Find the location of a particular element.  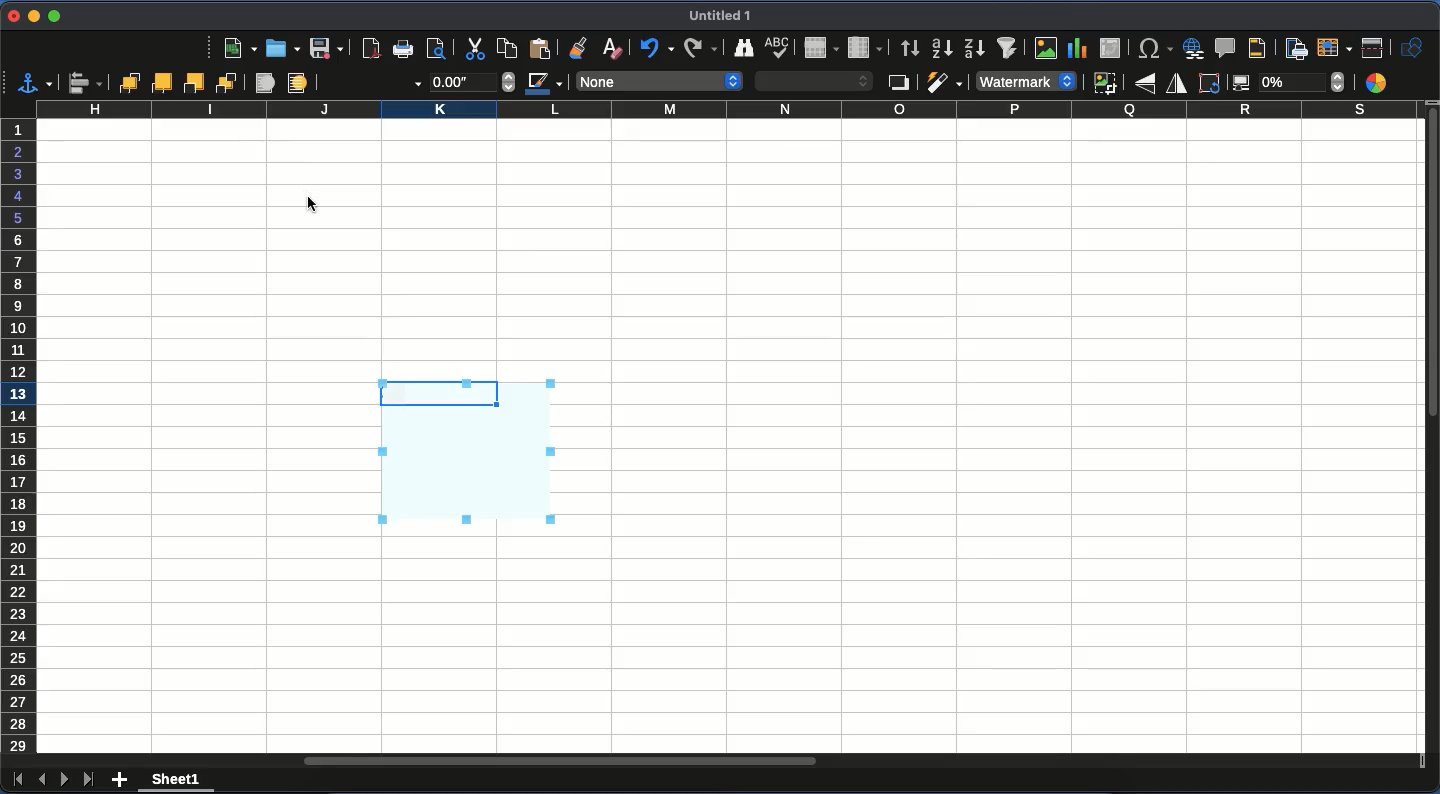

background is located at coordinates (297, 85).